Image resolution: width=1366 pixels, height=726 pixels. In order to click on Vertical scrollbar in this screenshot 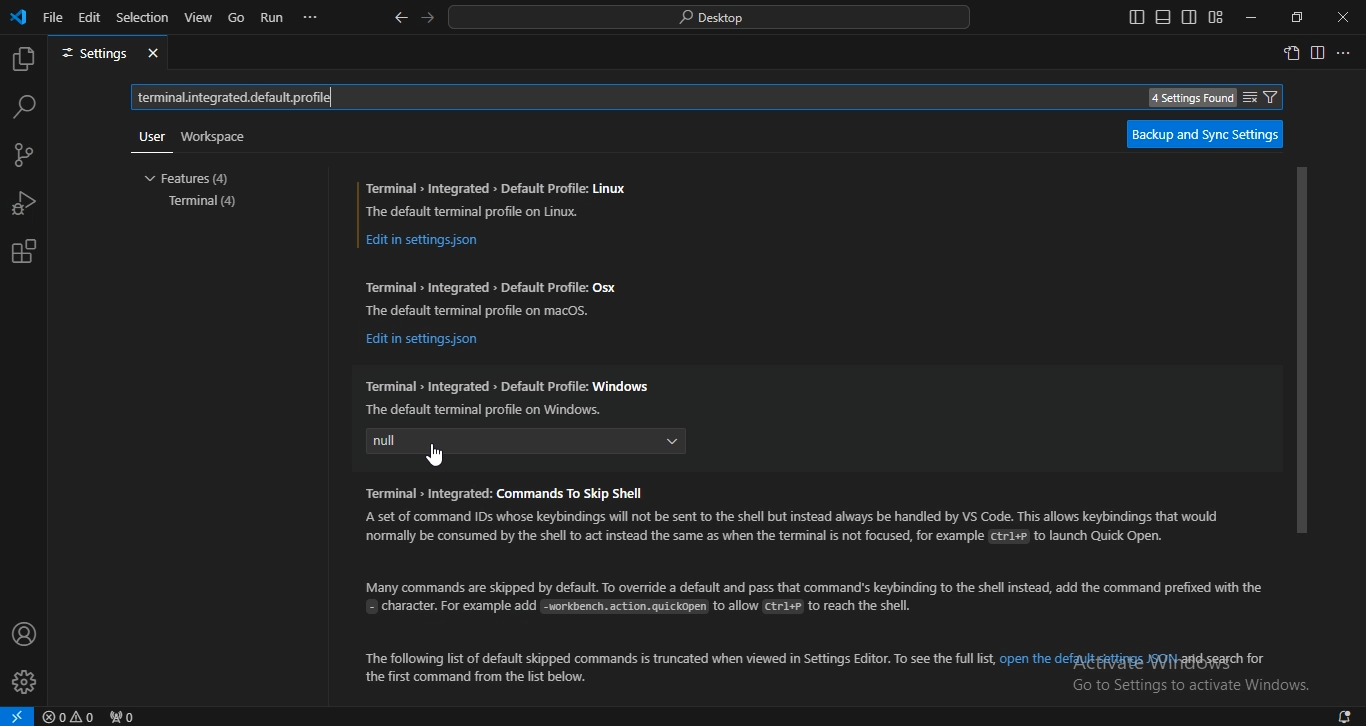, I will do `click(1302, 350)`.